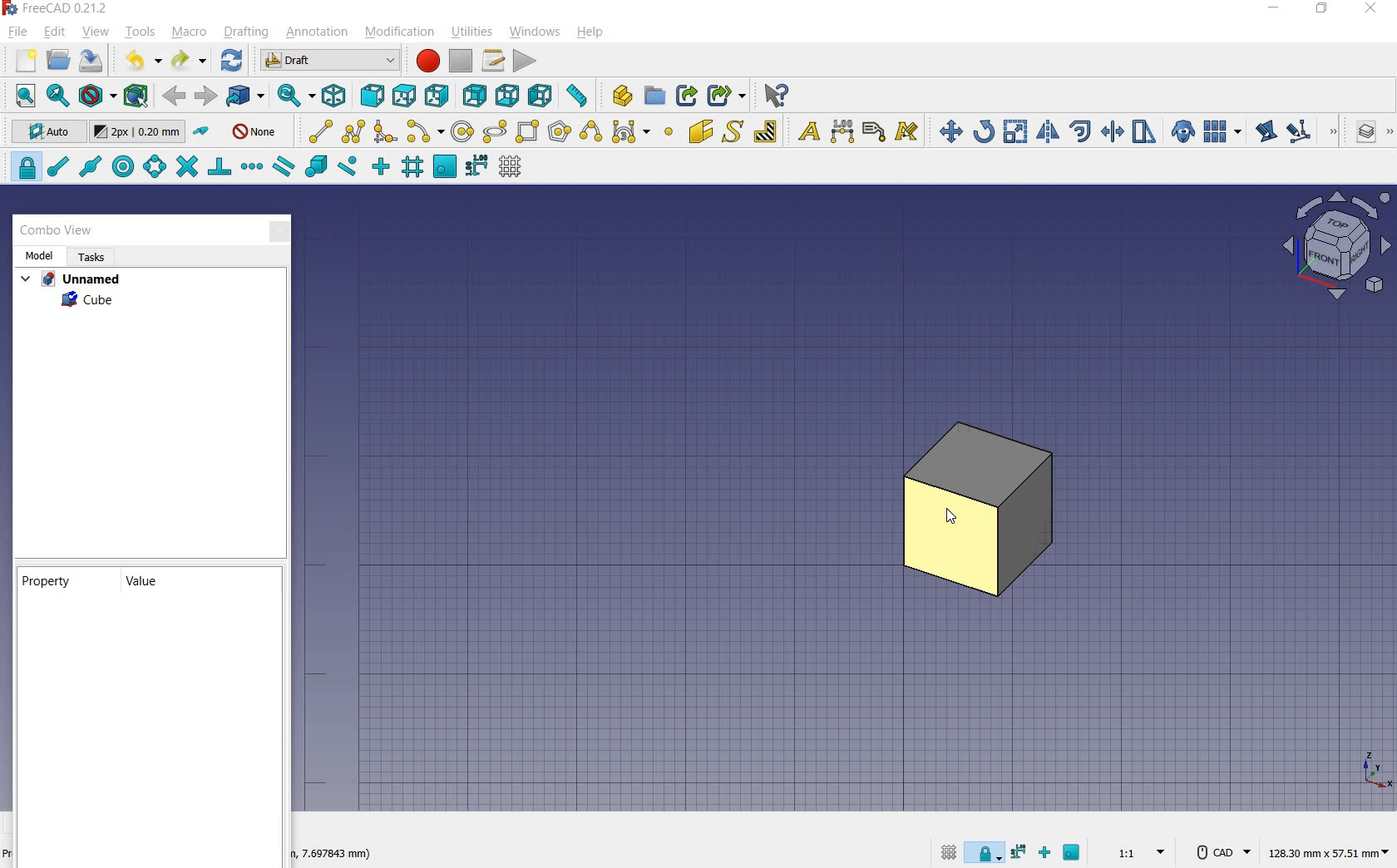  I want to click on toggle grid, so click(509, 169).